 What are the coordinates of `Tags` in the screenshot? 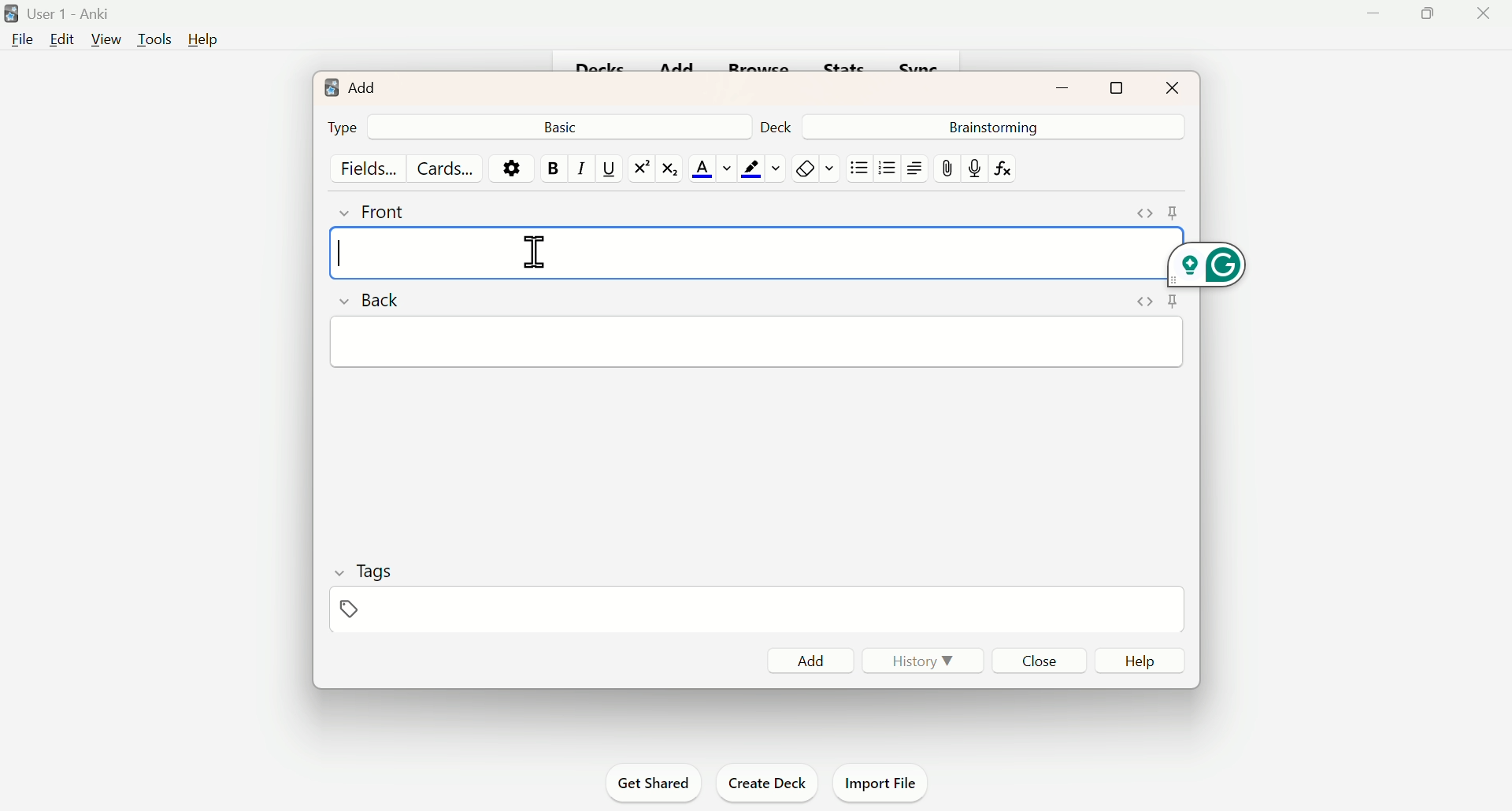 It's located at (365, 587).